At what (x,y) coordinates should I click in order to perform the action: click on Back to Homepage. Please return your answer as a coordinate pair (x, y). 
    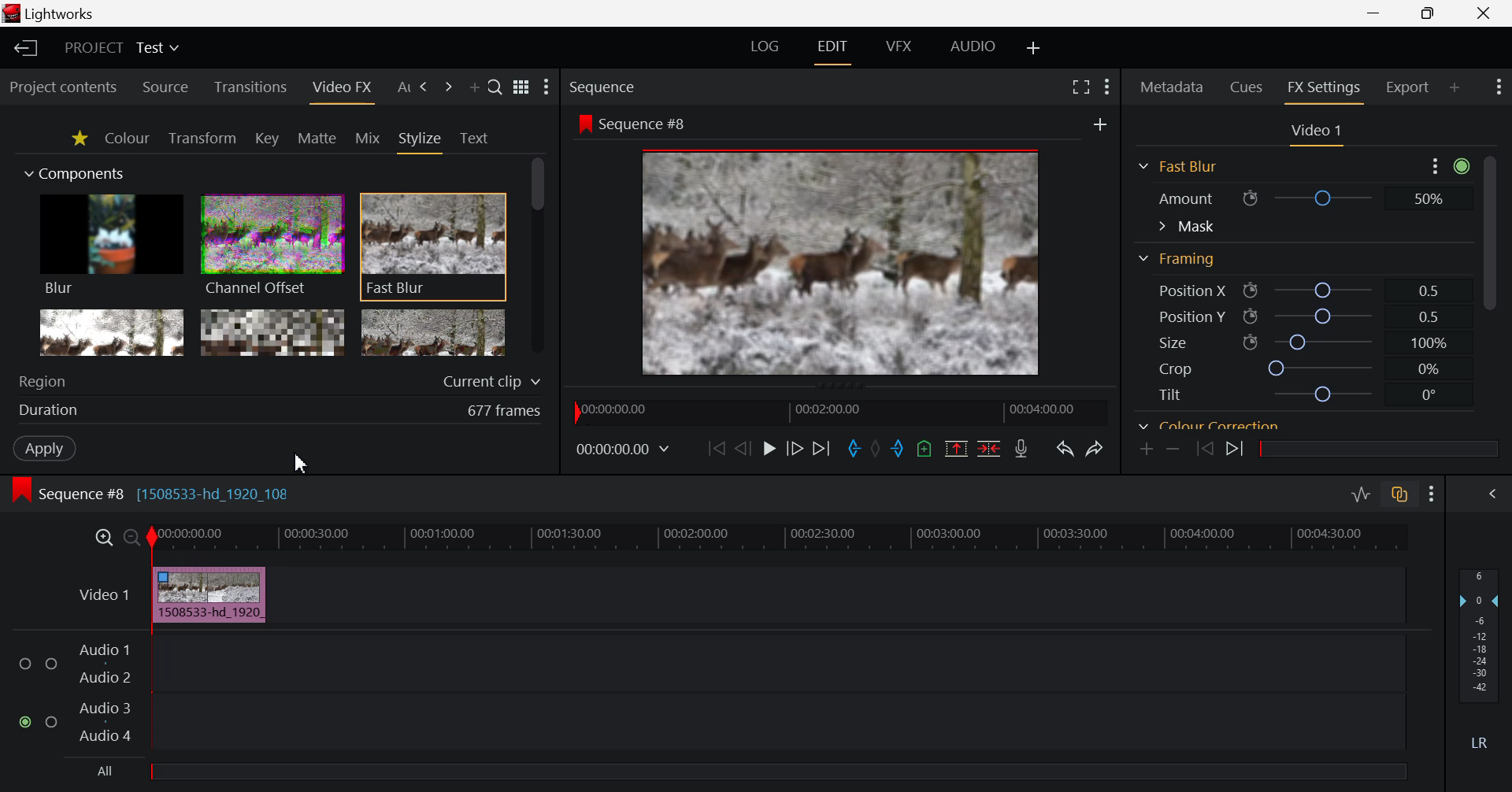
    Looking at the image, I should click on (22, 50).